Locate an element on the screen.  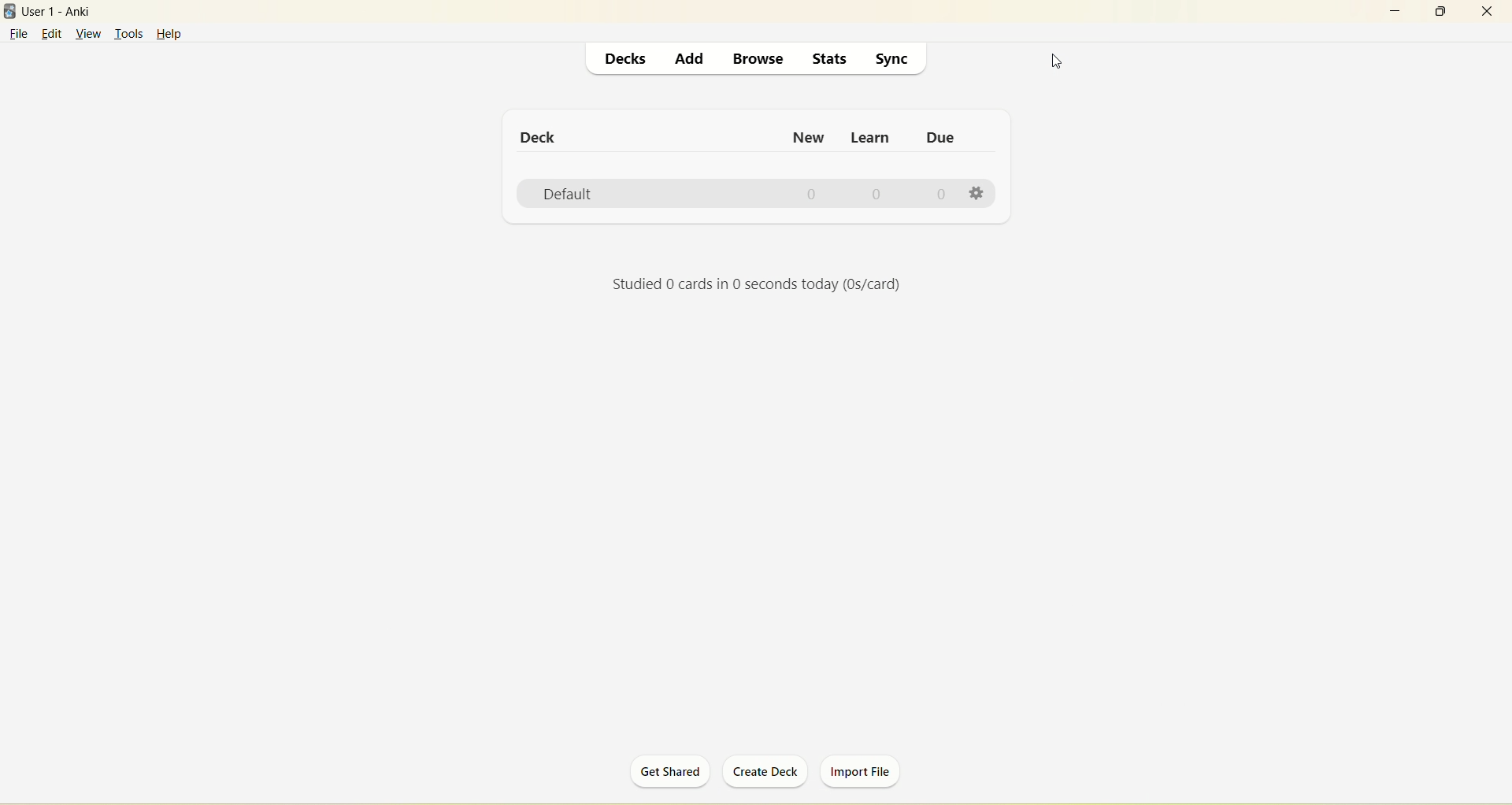
0 is located at coordinates (877, 195).